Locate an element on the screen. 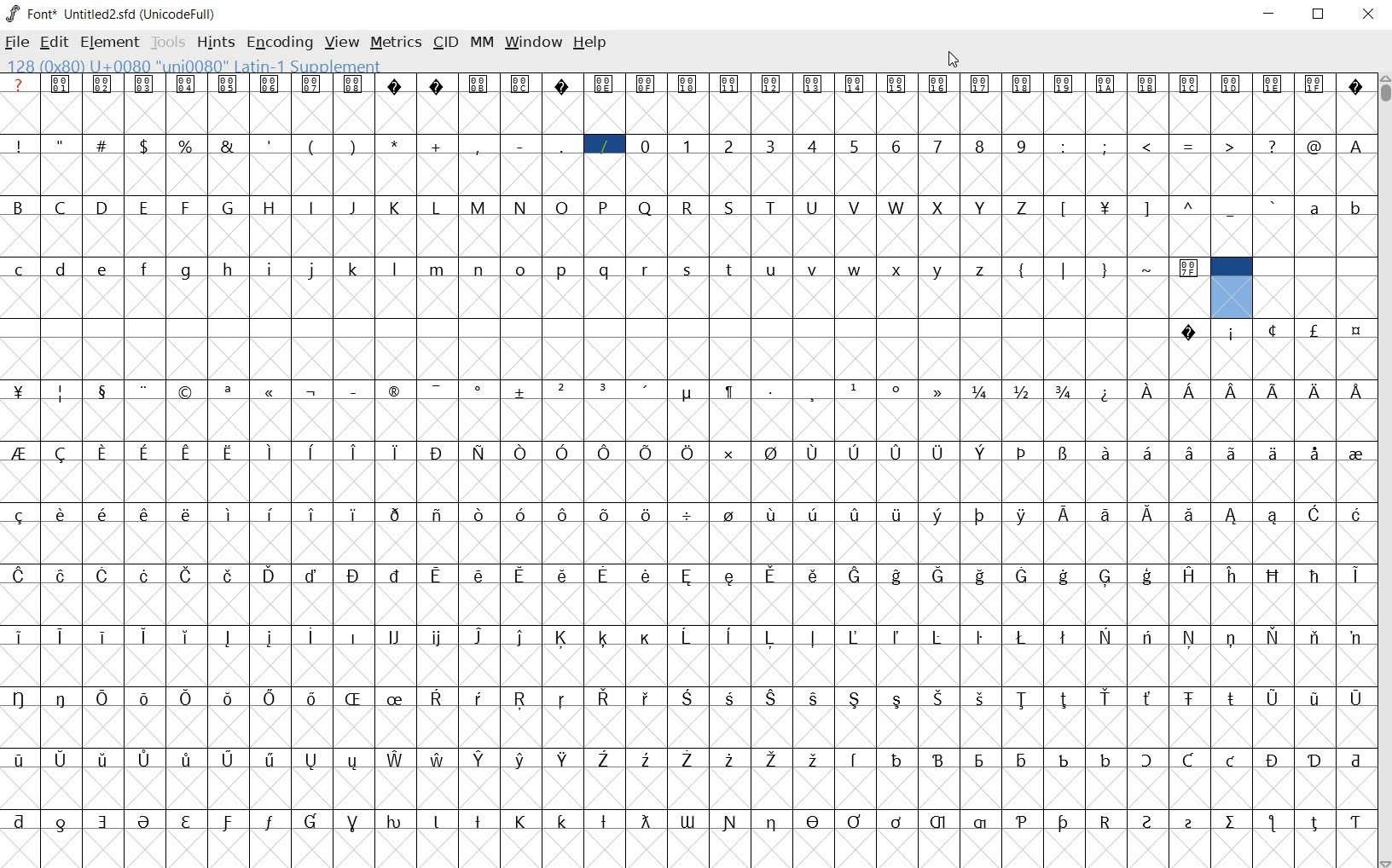 This screenshot has width=1392, height=868. Symbol is located at coordinates (397, 697).